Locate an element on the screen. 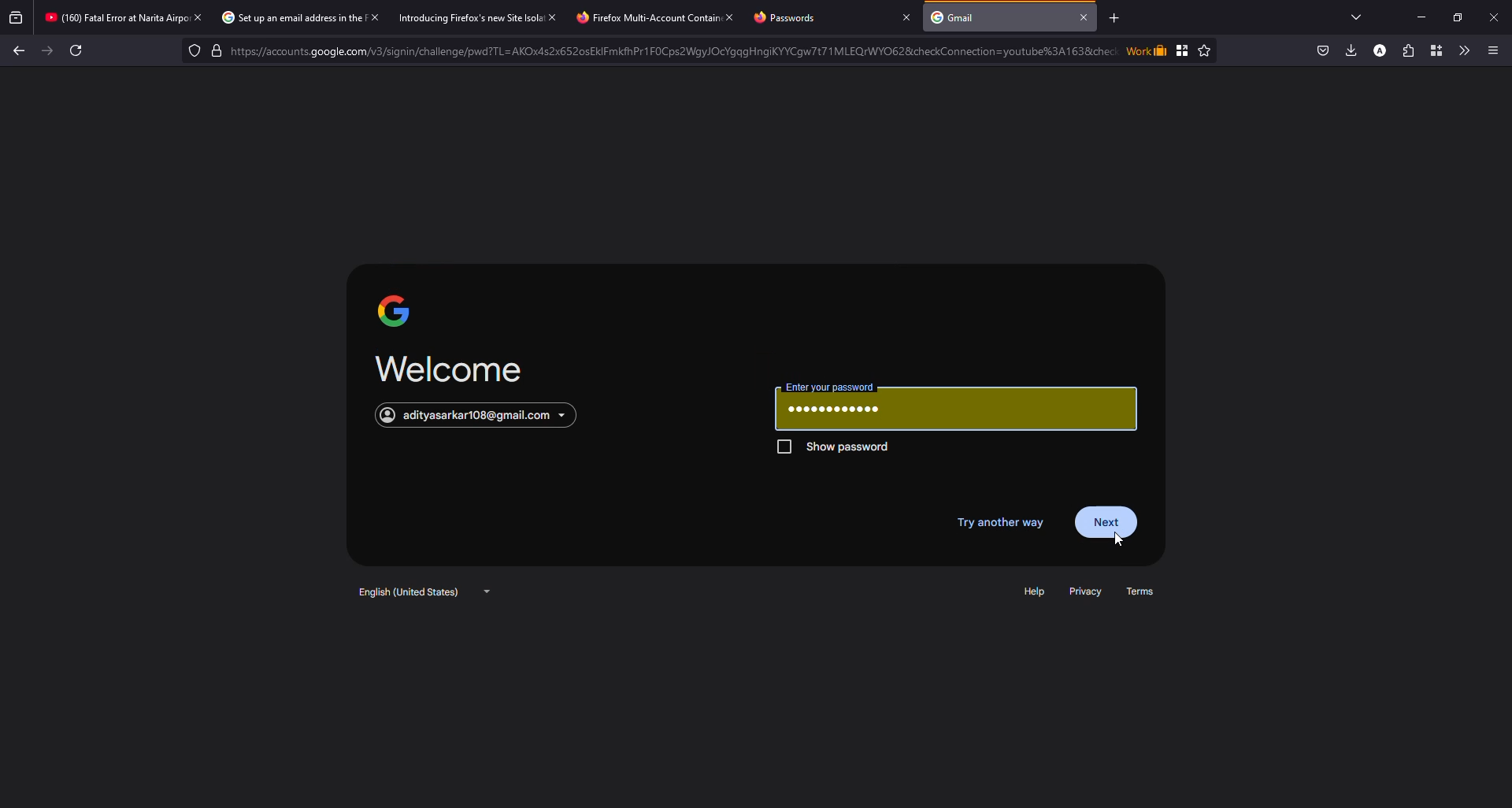 The width and height of the screenshot is (1512, 808). google is located at coordinates (395, 302).